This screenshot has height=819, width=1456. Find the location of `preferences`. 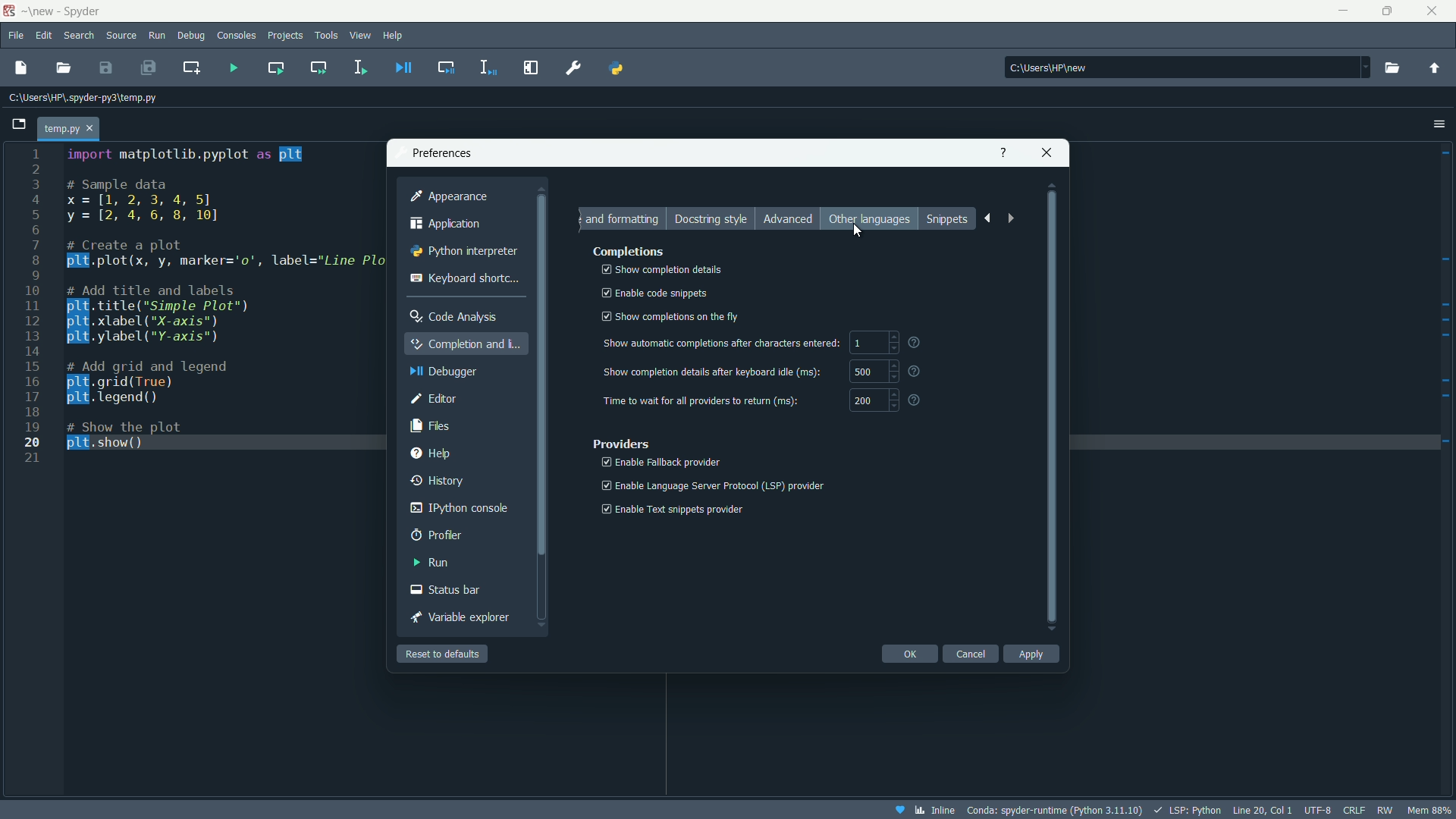

preferences is located at coordinates (441, 152).